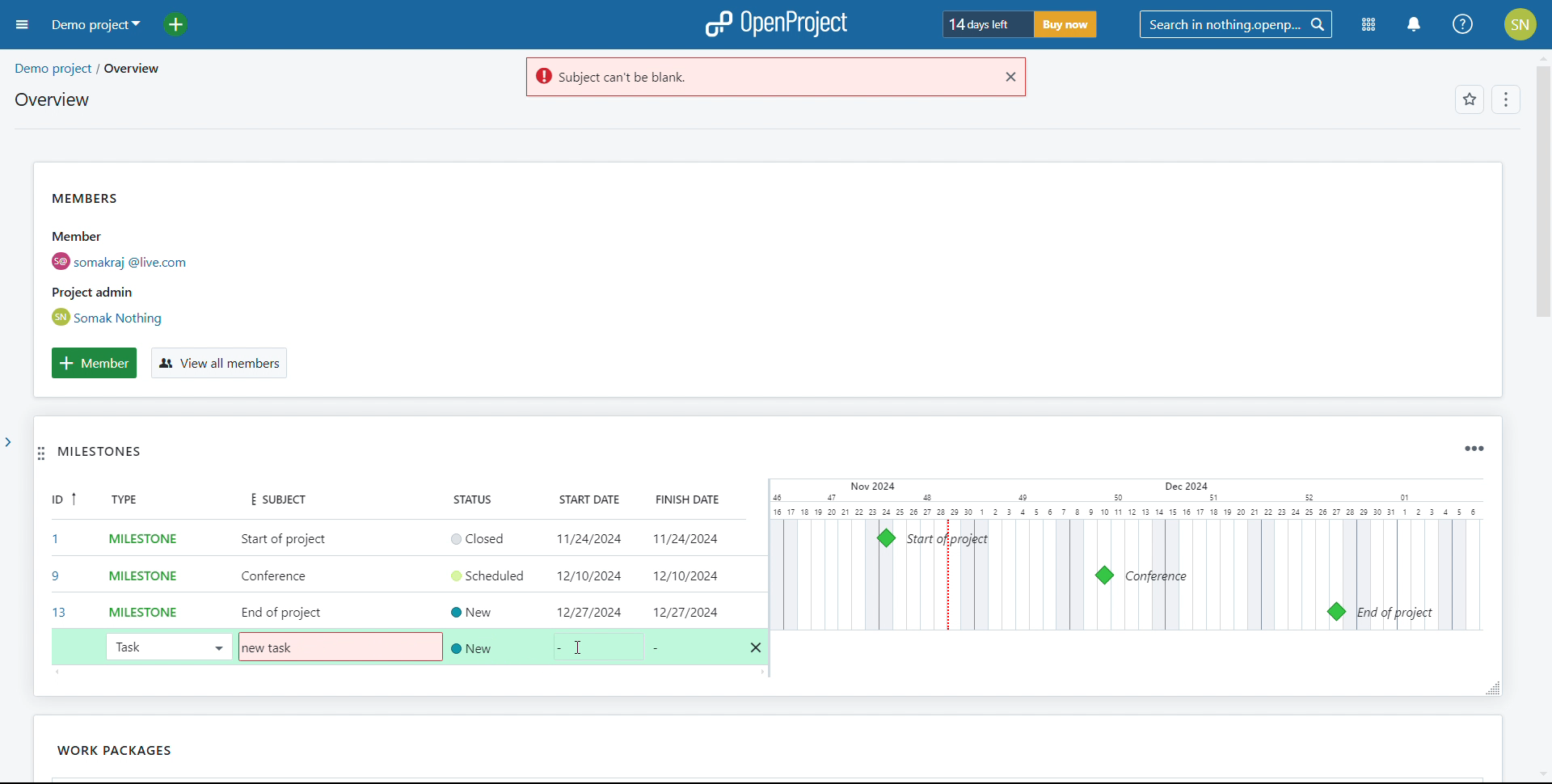  I want to click on selecting start date, so click(603, 647).